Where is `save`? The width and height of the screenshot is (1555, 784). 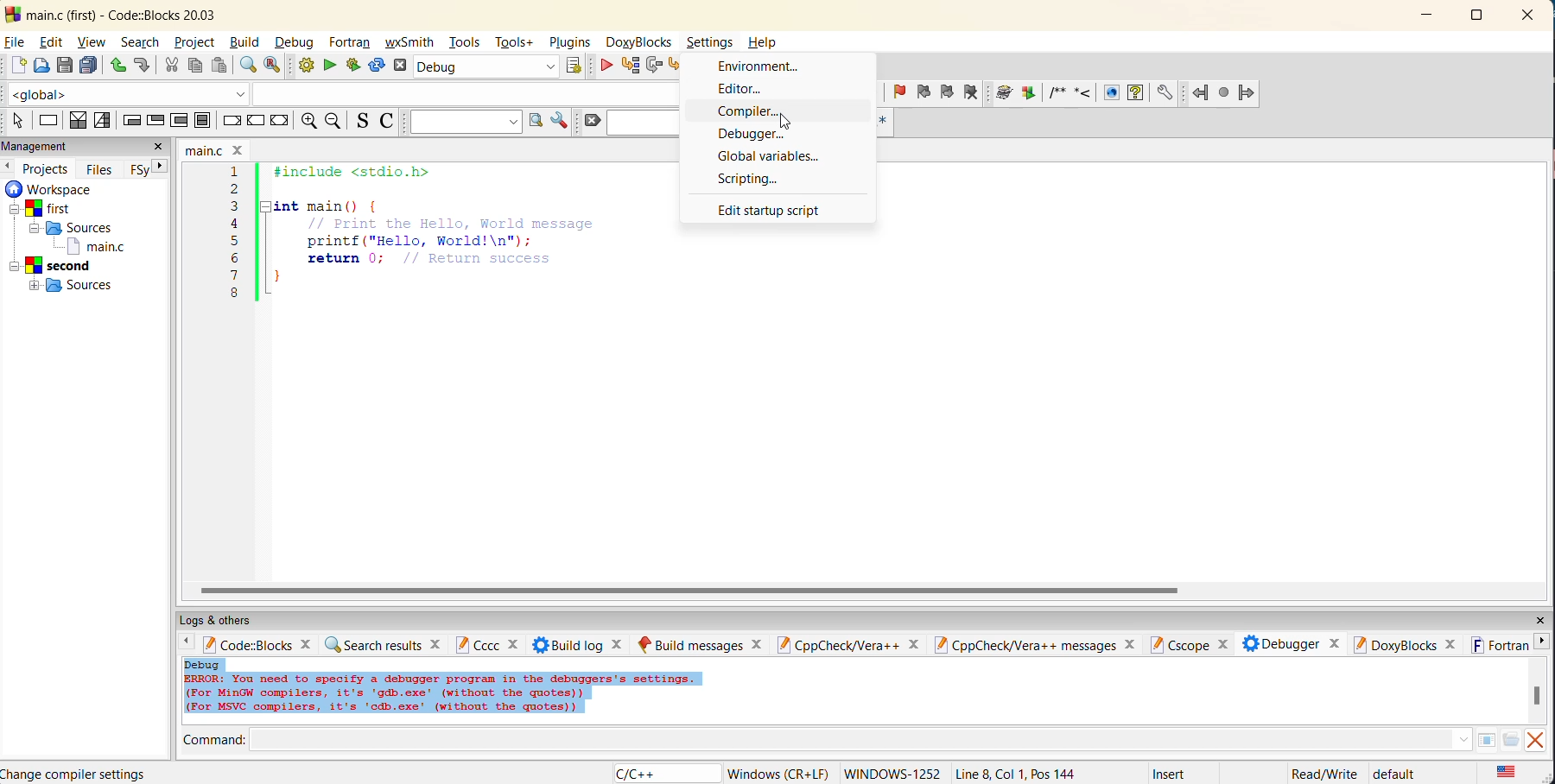 save is located at coordinates (65, 66).